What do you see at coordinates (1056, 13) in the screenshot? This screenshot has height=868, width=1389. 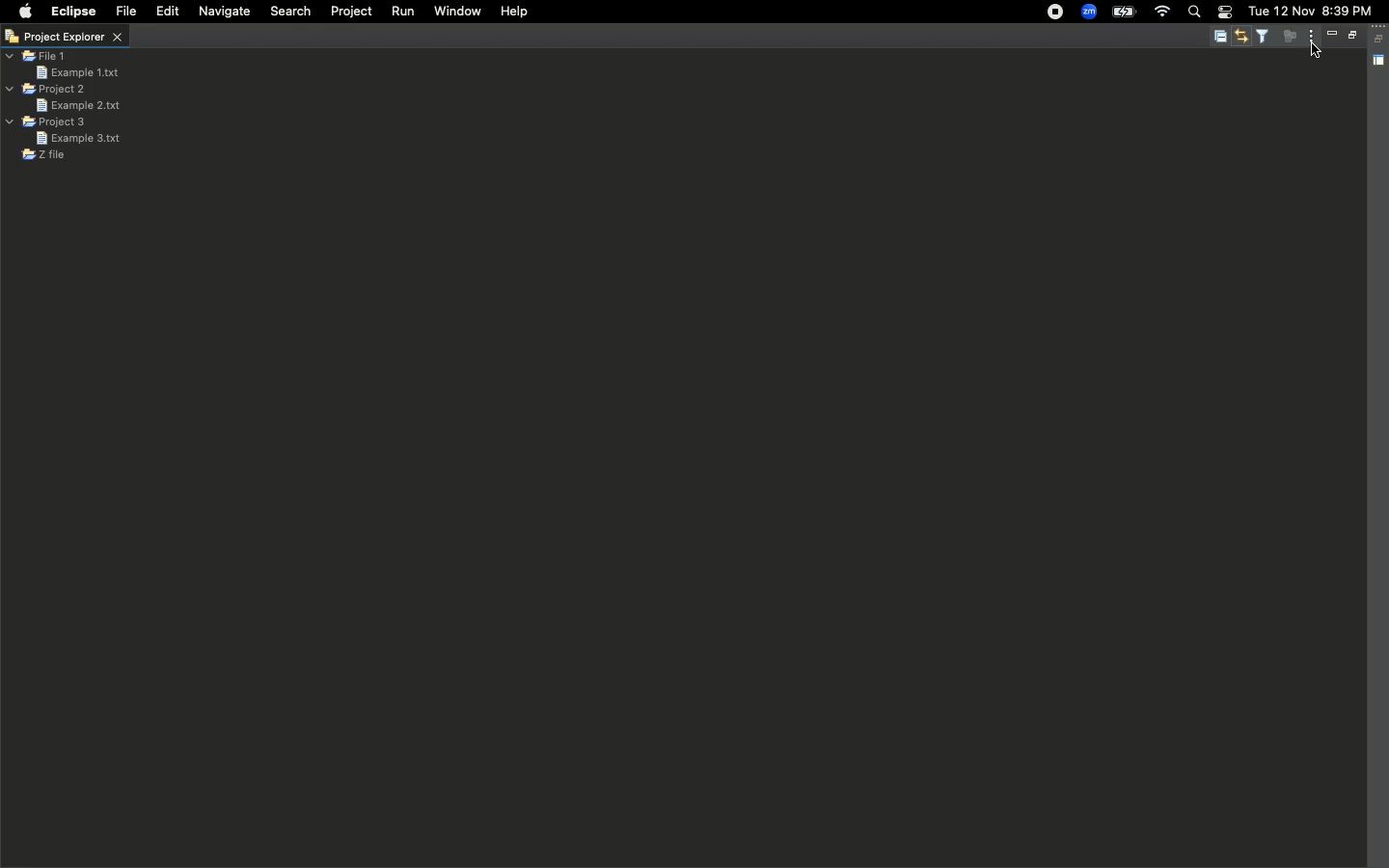 I see `Recording` at bounding box center [1056, 13].